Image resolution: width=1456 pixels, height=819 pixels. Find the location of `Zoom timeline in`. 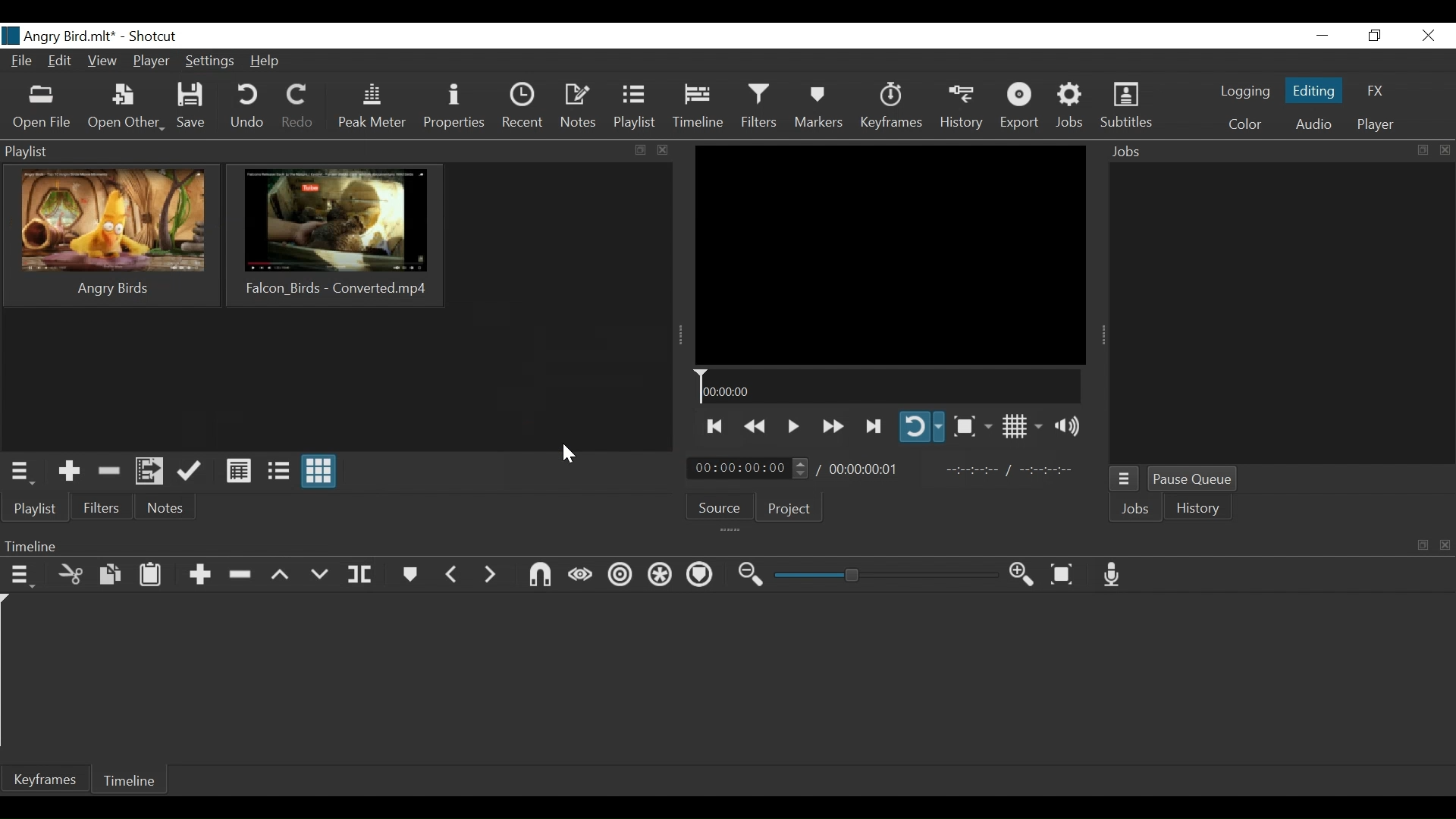

Zoom timeline in is located at coordinates (1021, 576).